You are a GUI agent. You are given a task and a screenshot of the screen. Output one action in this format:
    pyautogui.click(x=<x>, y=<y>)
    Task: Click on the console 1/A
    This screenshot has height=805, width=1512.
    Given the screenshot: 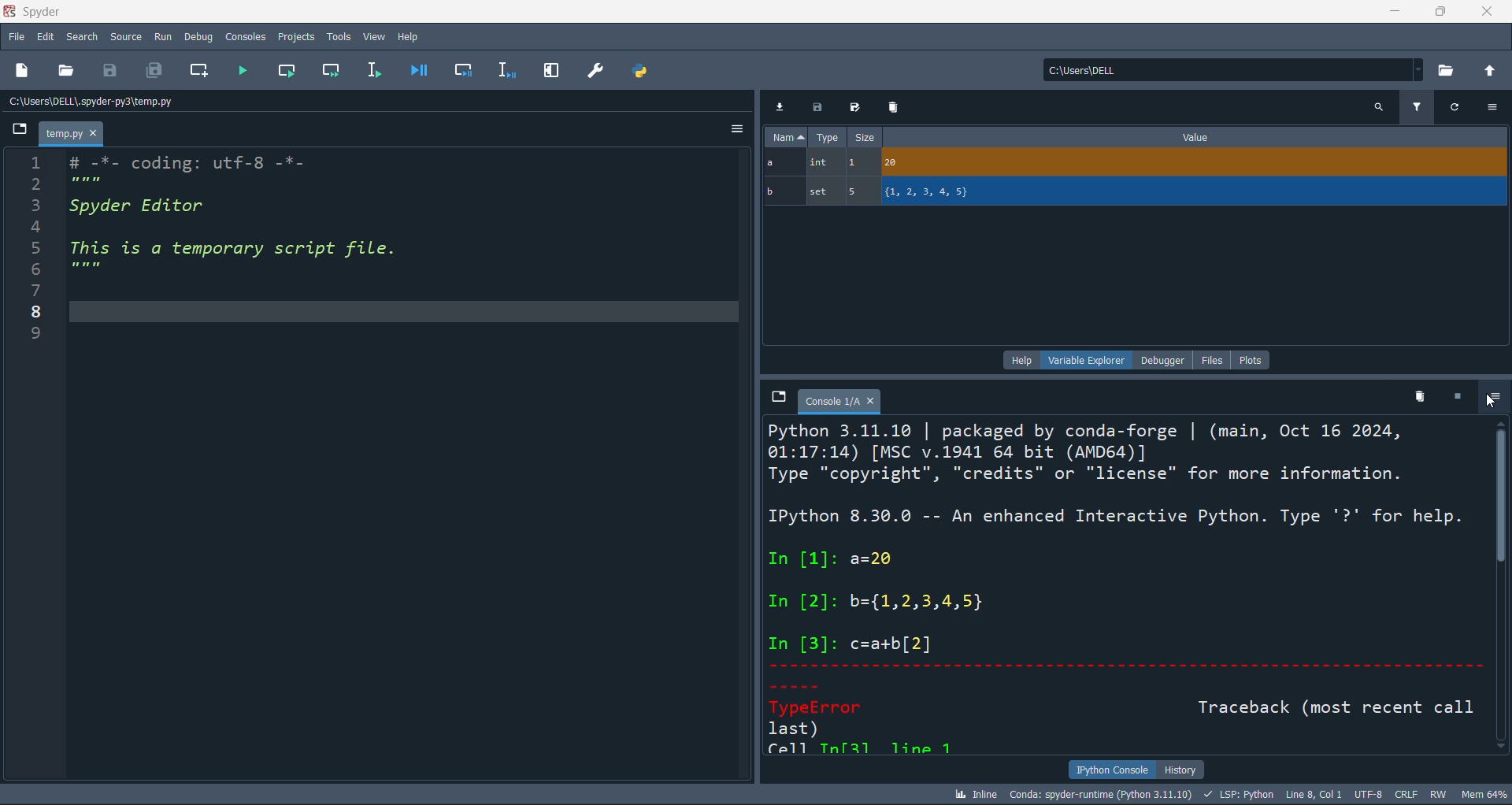 What is the action you would take?
    pyautogui.click(x=840, y=401)
    